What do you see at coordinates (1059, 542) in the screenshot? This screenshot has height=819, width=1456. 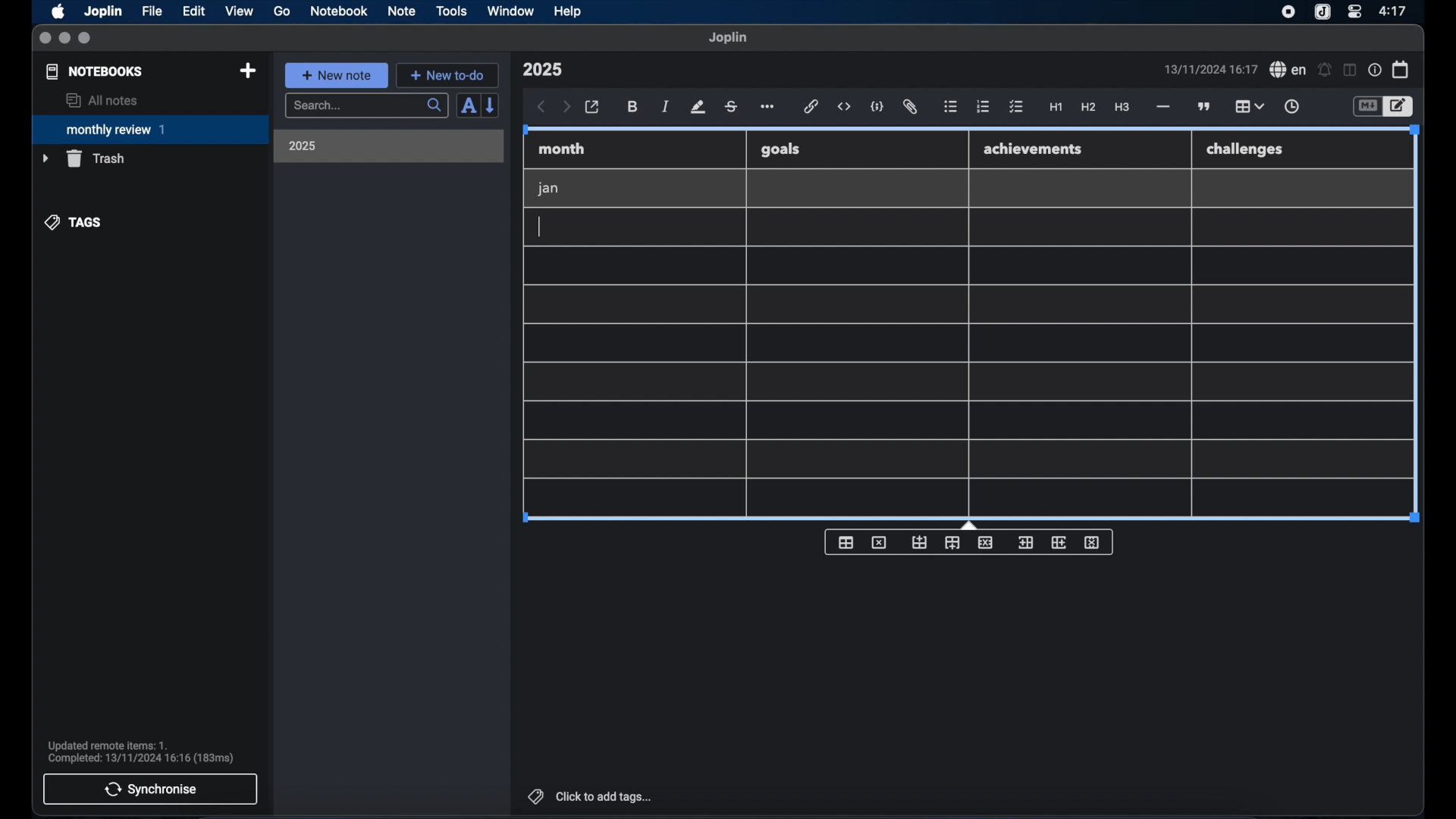 I see `insert column after` at bounding box center [1059, 542].